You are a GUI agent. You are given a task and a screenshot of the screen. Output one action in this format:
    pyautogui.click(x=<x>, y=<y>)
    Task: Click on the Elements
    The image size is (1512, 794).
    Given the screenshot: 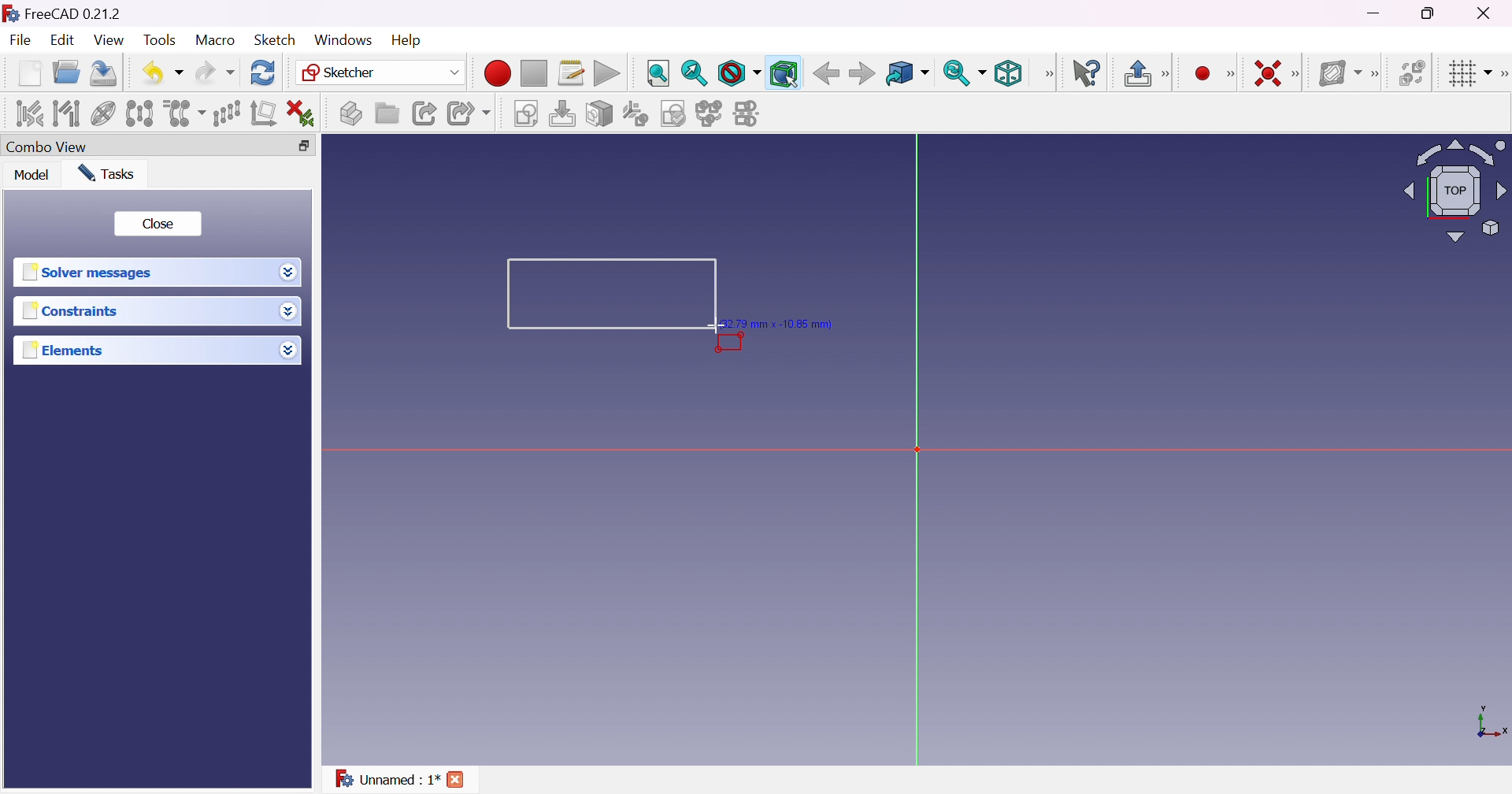 What is the action you would take?
    pyautogui.click(x=63, y=351)
    